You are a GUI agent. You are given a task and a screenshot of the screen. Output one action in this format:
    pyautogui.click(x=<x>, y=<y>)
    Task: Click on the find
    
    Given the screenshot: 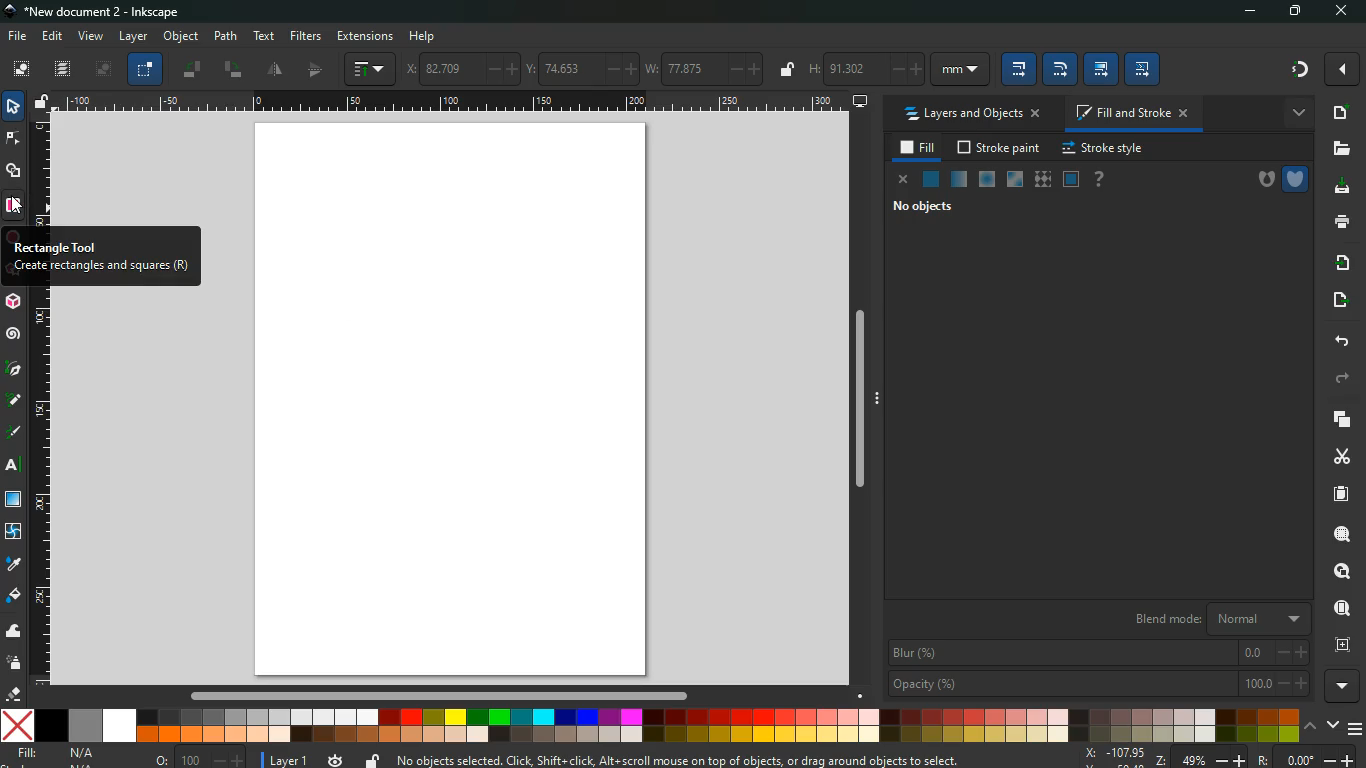 What is the action you would take?
    pyautogui.click(x=1338, y=607)
    